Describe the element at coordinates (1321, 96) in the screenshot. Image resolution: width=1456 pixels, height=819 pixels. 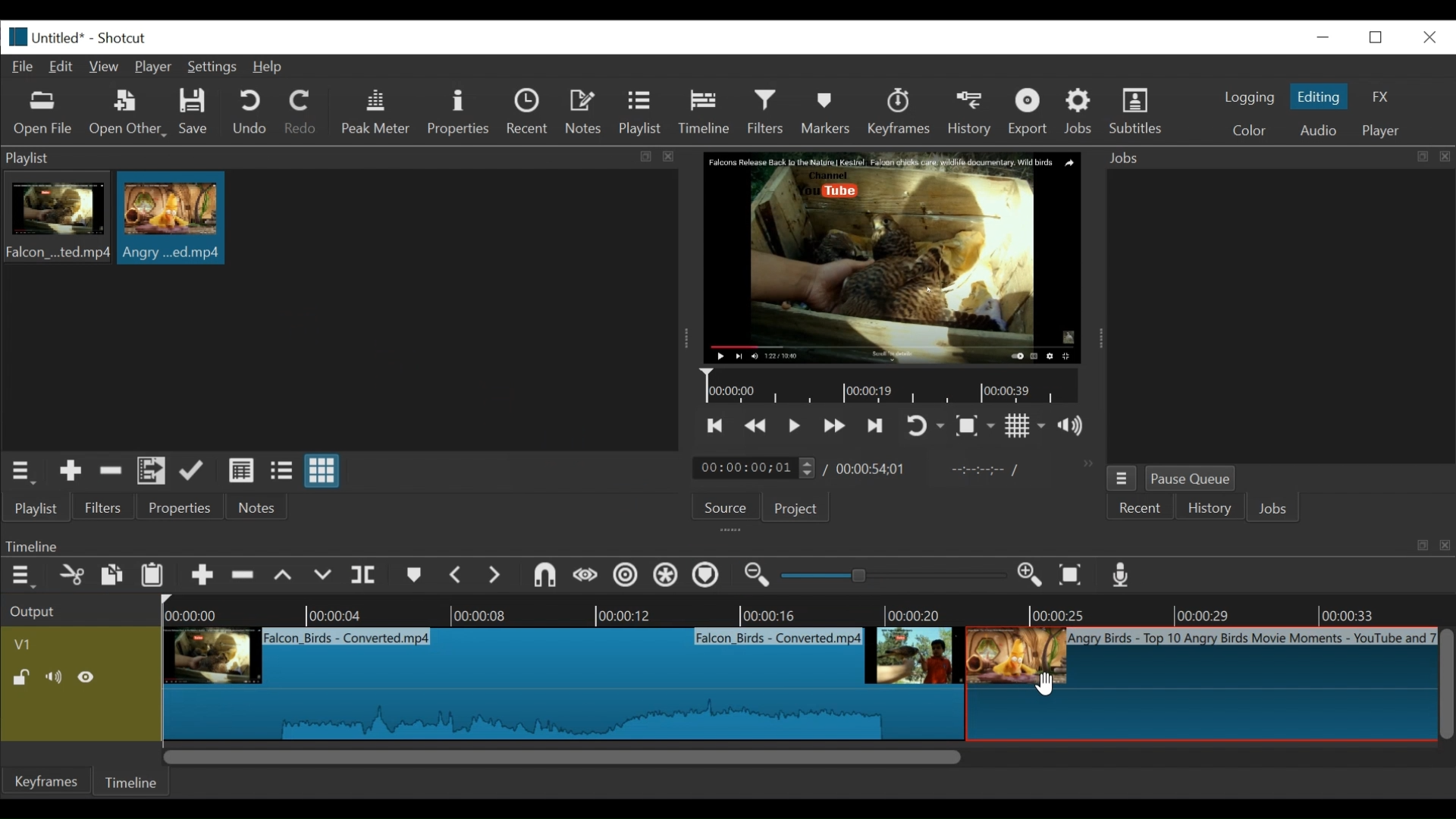
I see `Editing` at that location.